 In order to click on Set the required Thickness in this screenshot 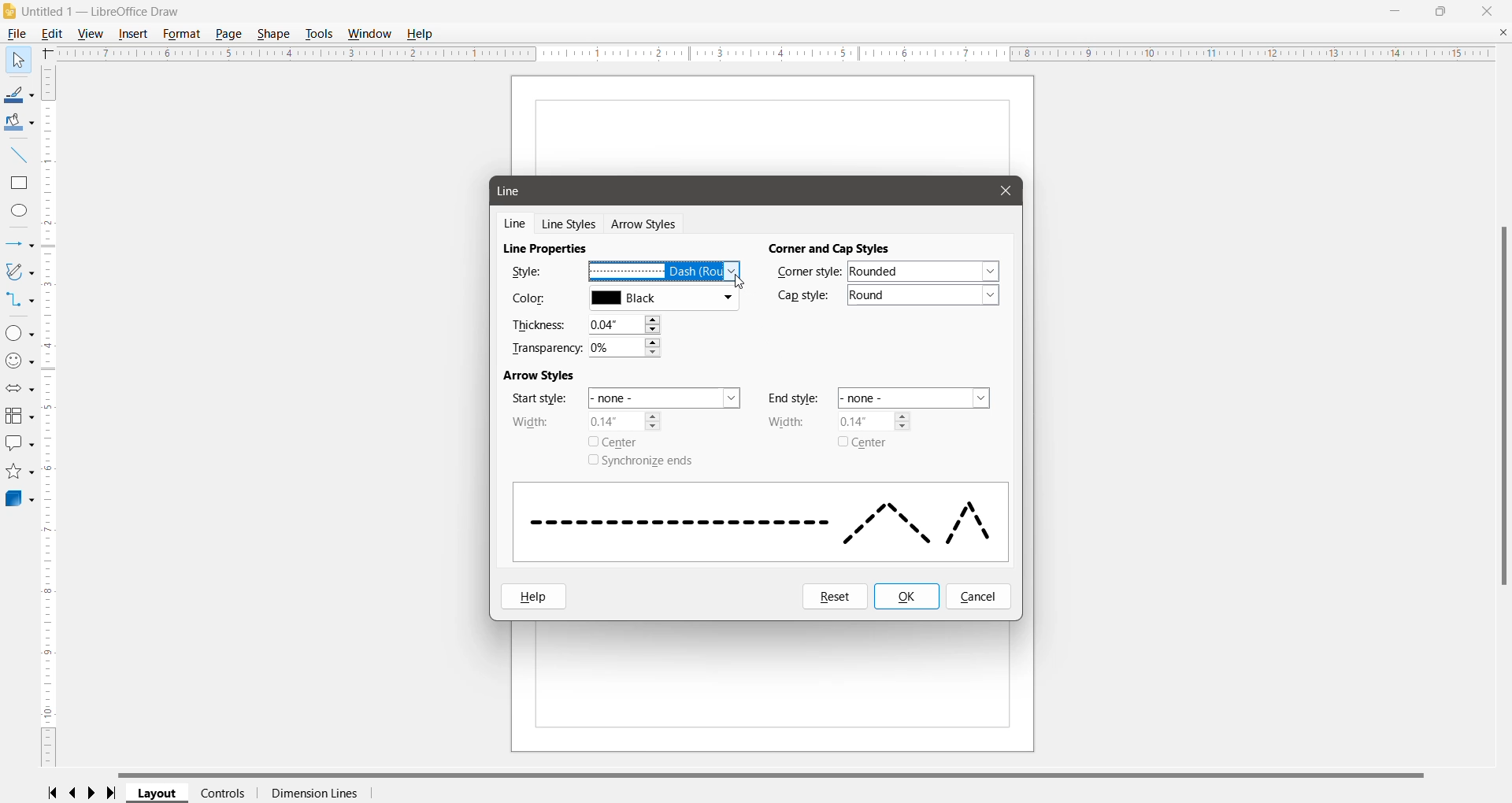, I will do `click(624, 325)`.